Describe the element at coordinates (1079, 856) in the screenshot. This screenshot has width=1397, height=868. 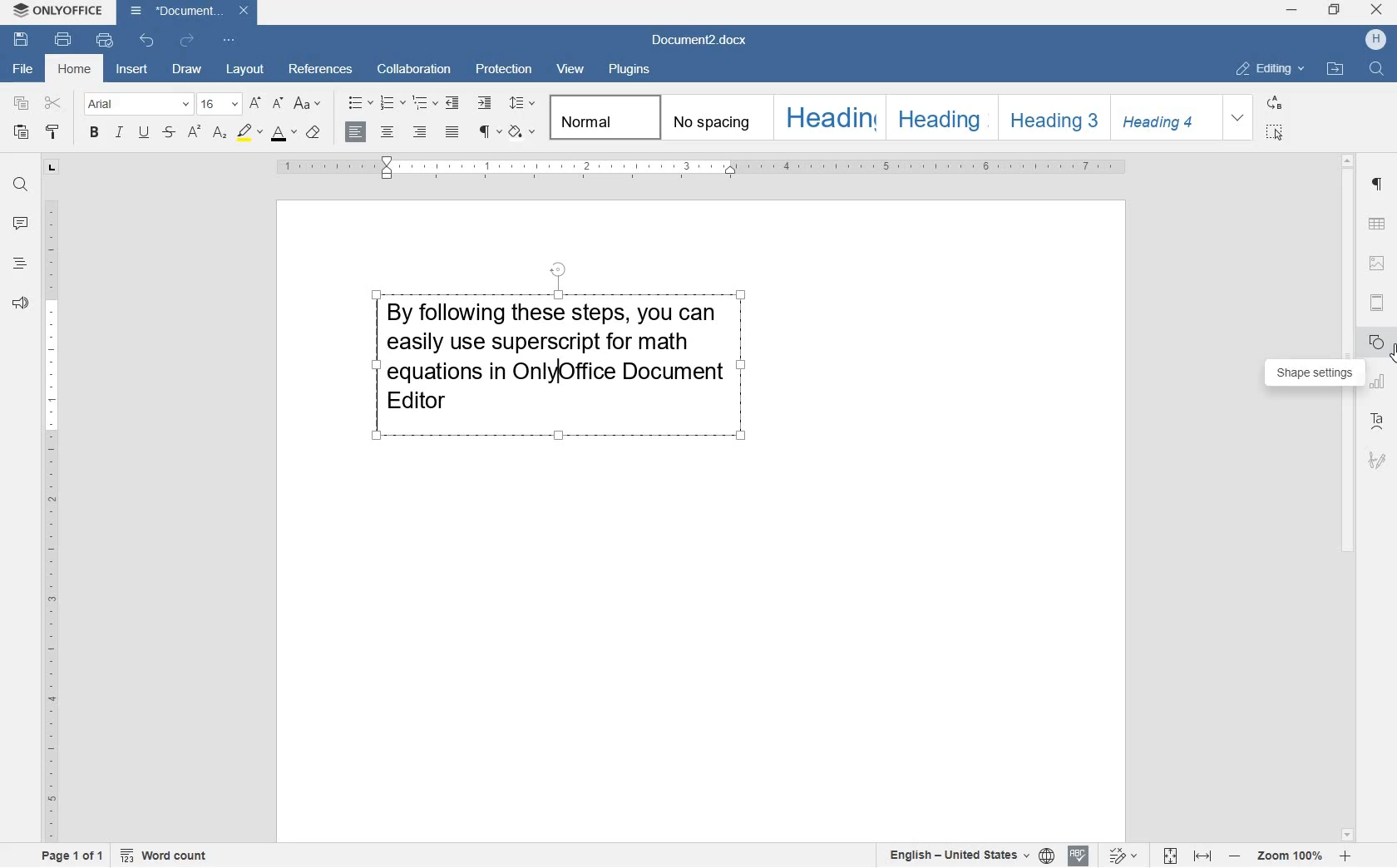
I see `spell checking` at that location.